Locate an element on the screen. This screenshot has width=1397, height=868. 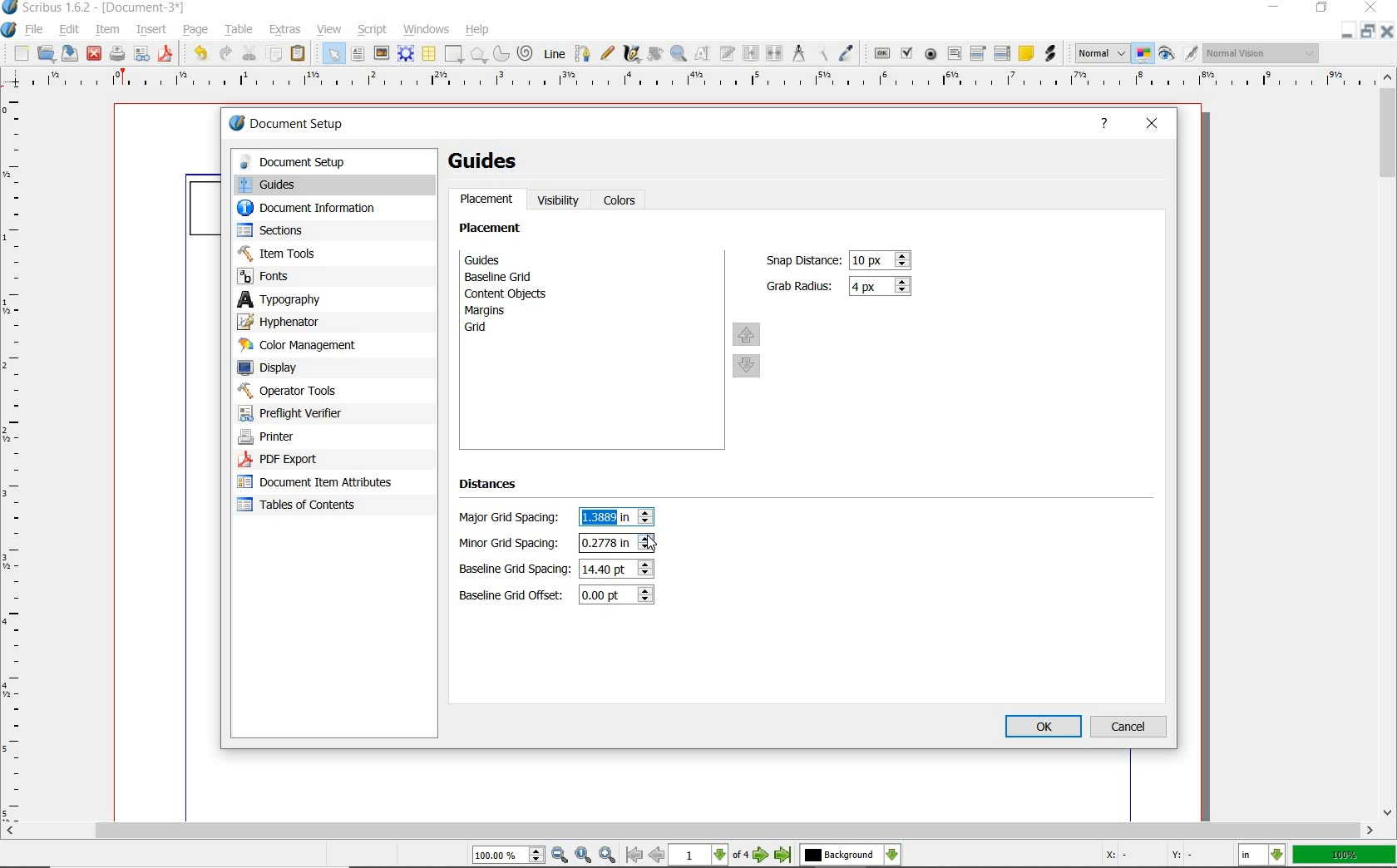
X: - Y: - is located at coordinates (1146, 855).